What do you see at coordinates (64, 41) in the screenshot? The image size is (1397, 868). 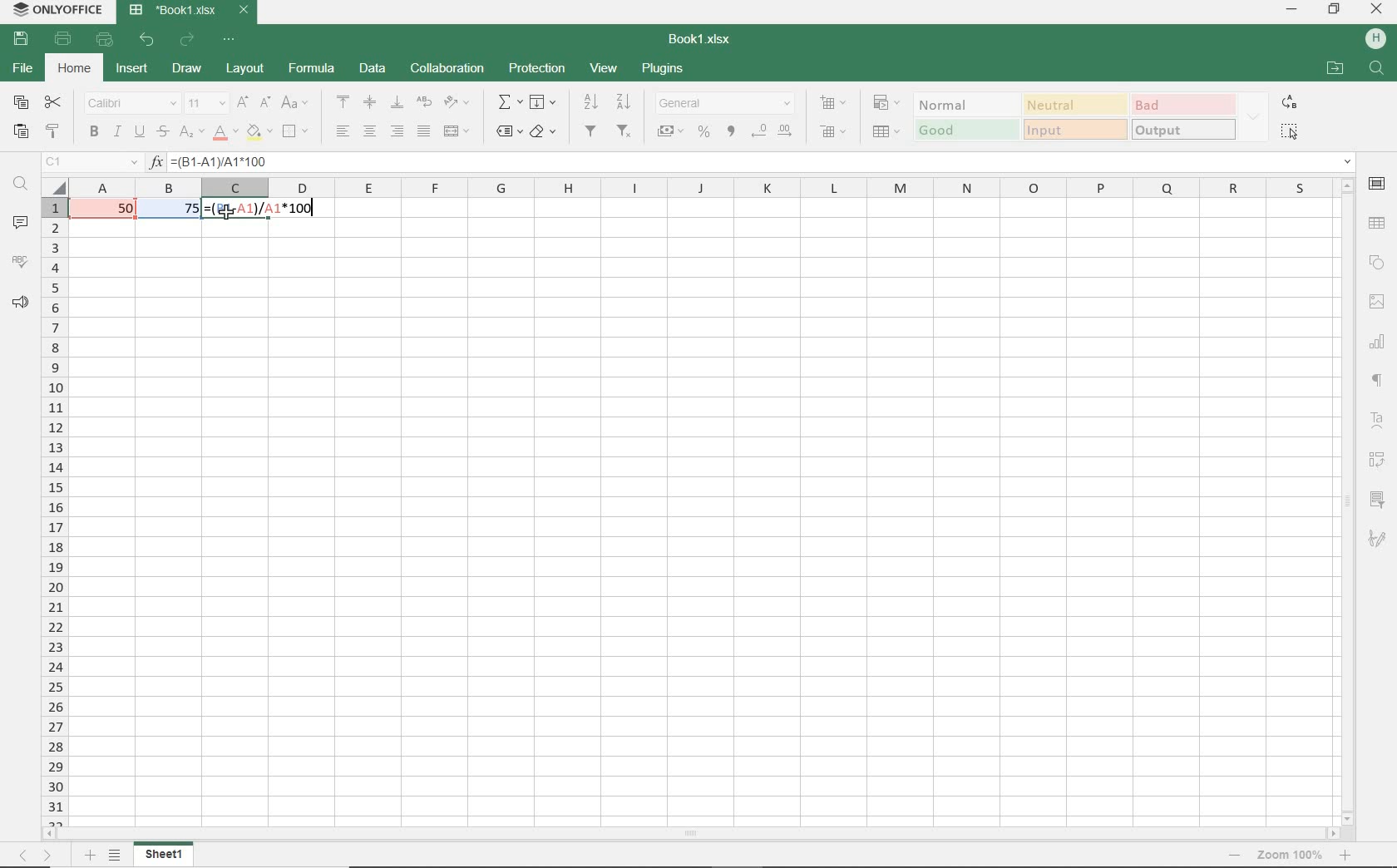 I see `print` at bounding box center [64, 41].